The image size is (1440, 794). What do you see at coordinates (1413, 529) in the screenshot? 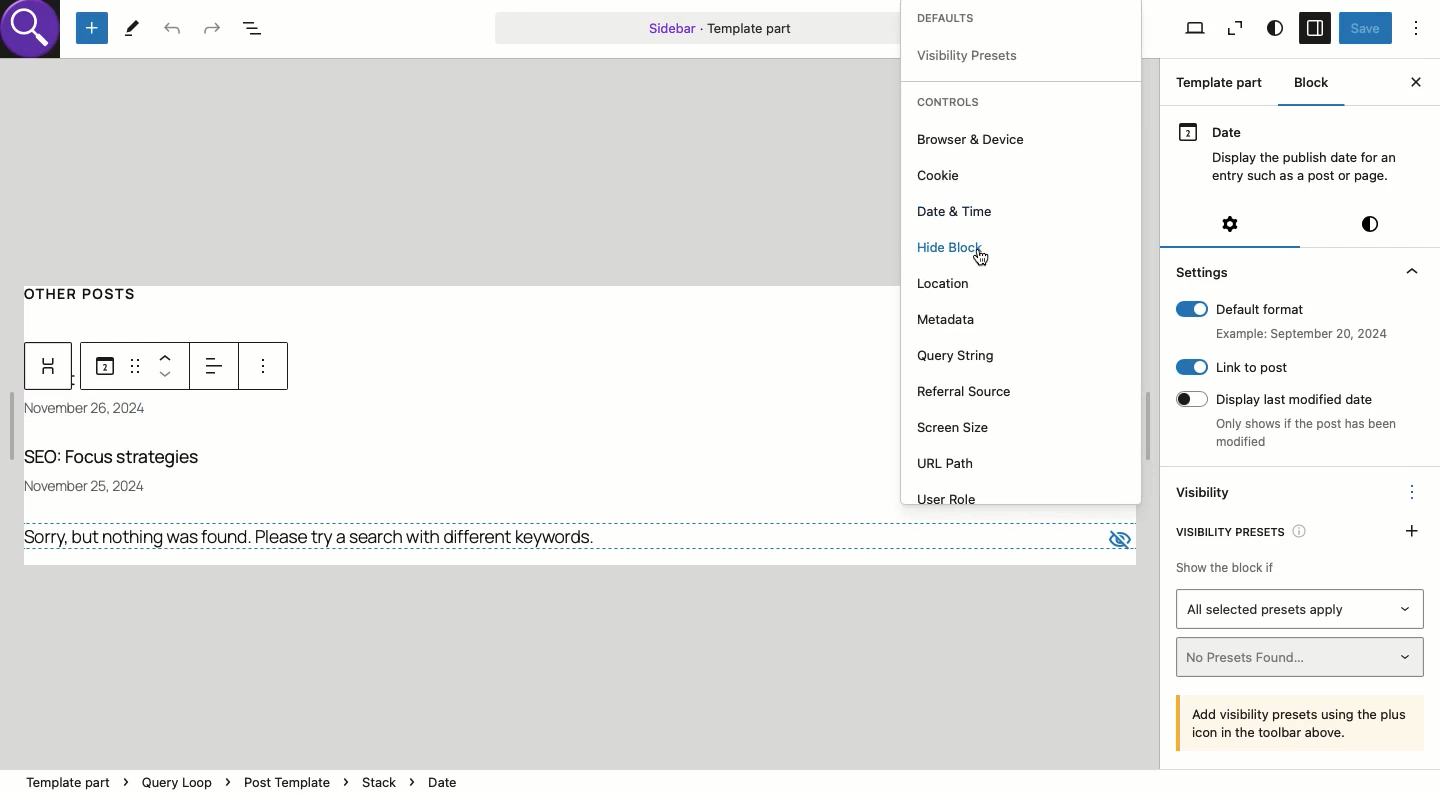
I see `Add` at bounding box center [1413, 529].